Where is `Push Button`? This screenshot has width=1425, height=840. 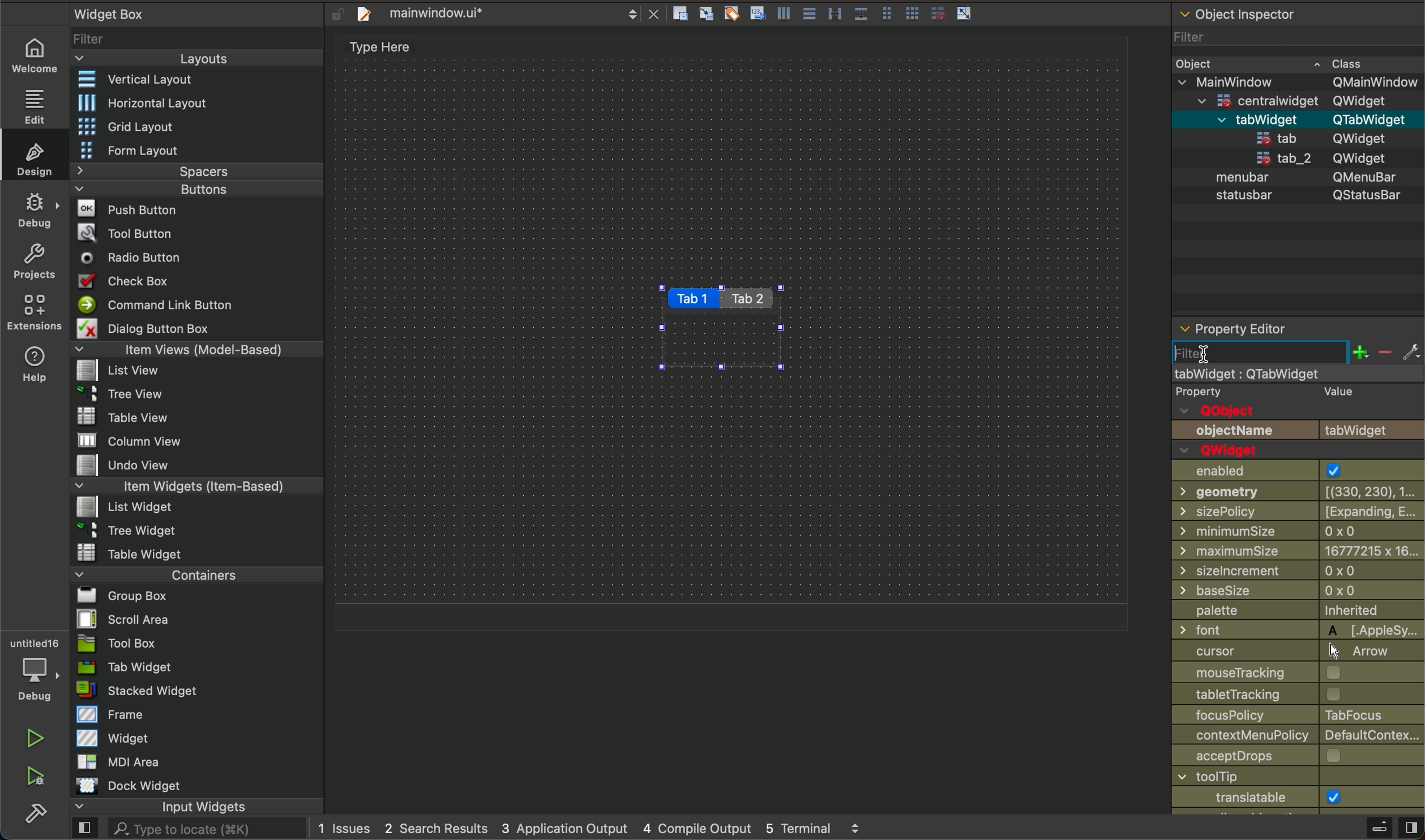 Push Button is located at coordinates (119, 209).